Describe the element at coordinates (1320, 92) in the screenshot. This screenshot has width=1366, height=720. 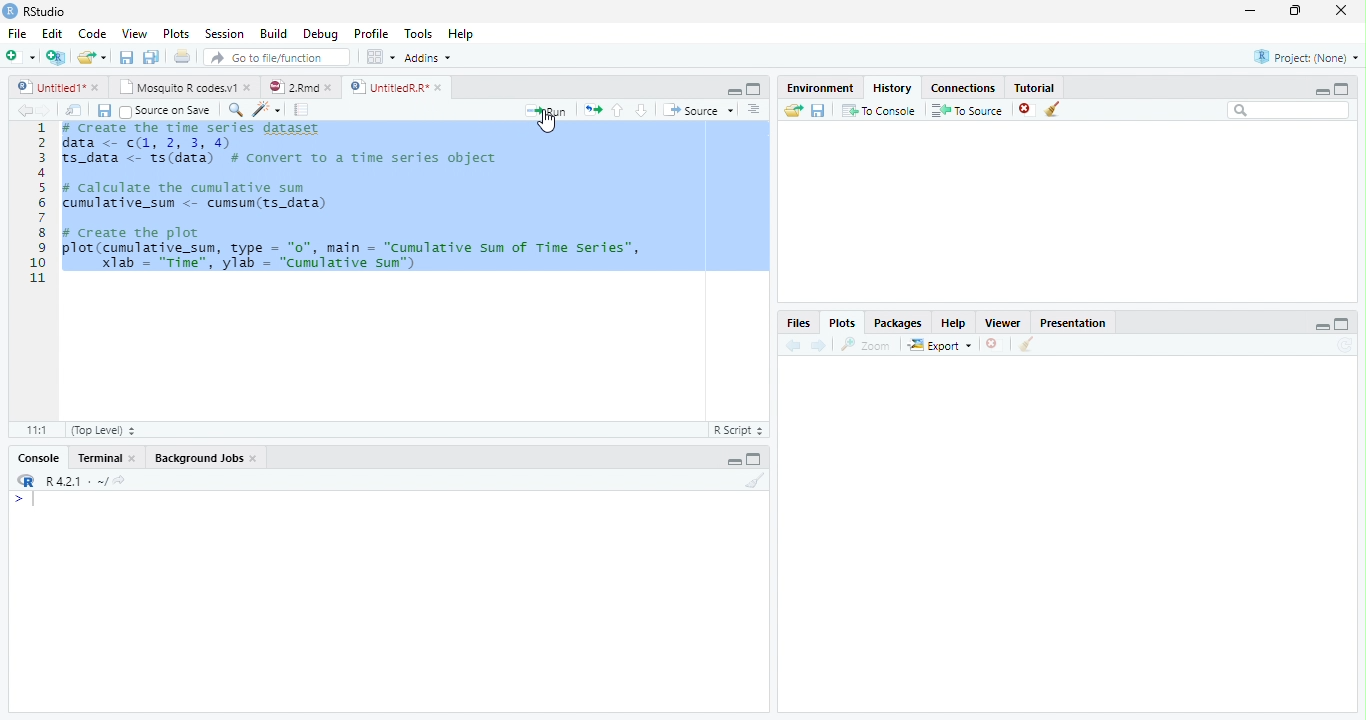
I see `Minimize` at that location.